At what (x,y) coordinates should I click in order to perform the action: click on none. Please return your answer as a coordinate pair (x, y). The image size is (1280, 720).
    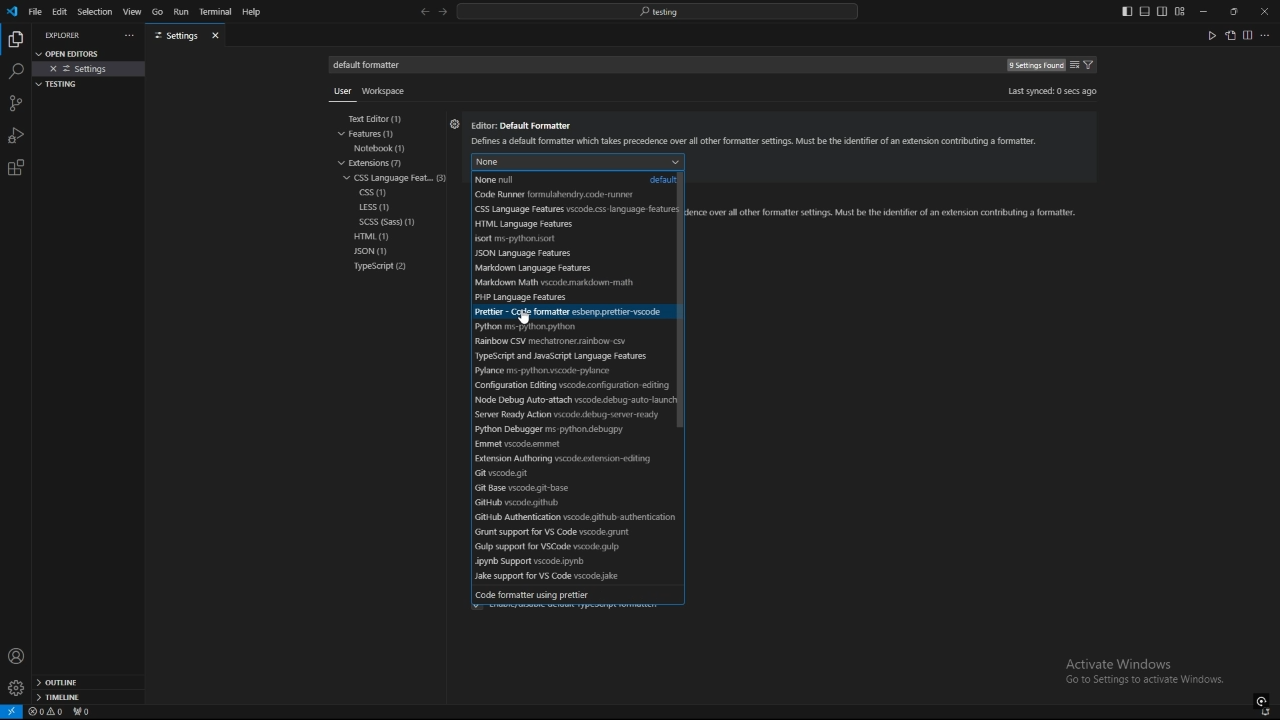
    Looking at the image, I should click on (572, 179).